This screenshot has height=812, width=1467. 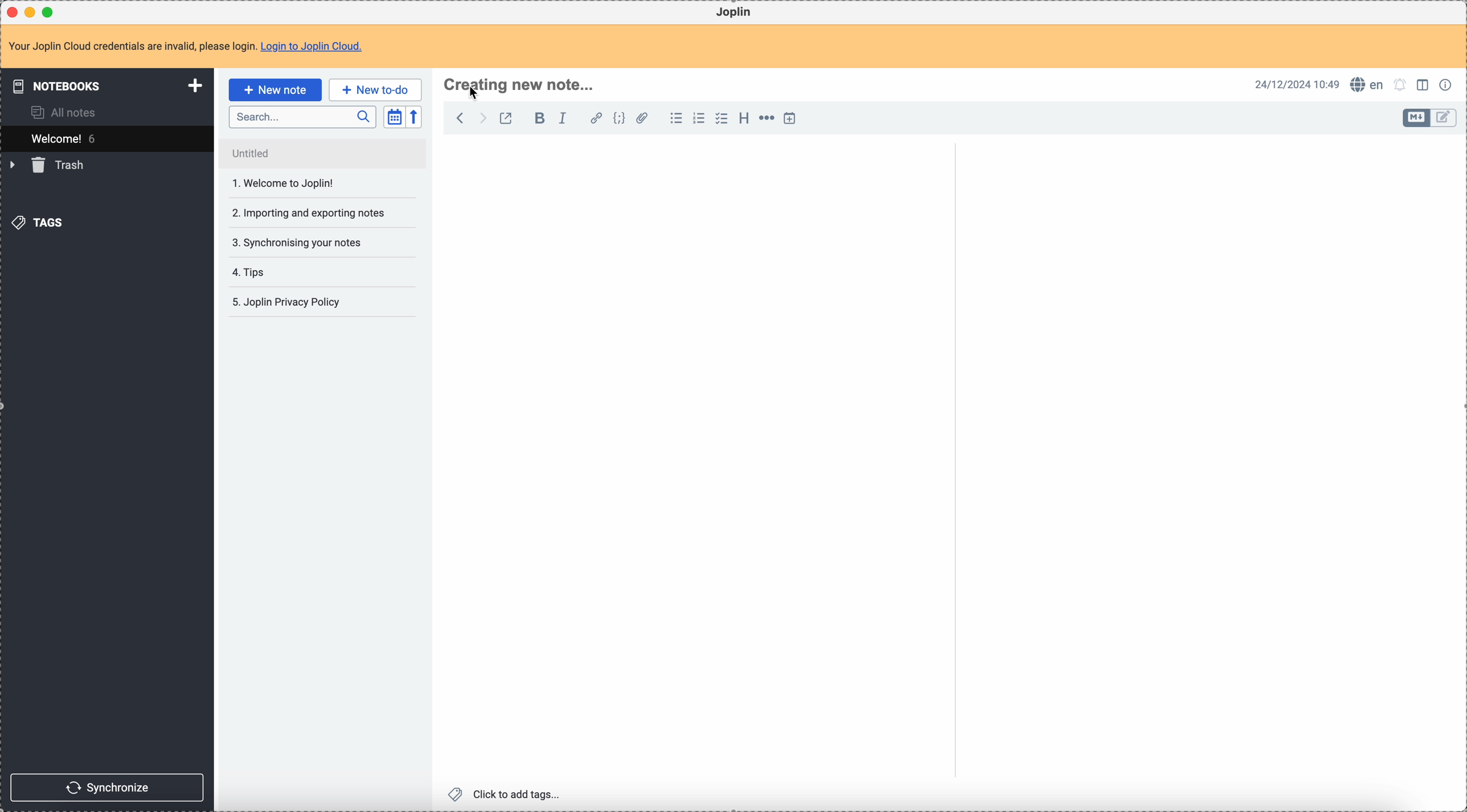 I want to click on all notes, so click(x=65, y=112).